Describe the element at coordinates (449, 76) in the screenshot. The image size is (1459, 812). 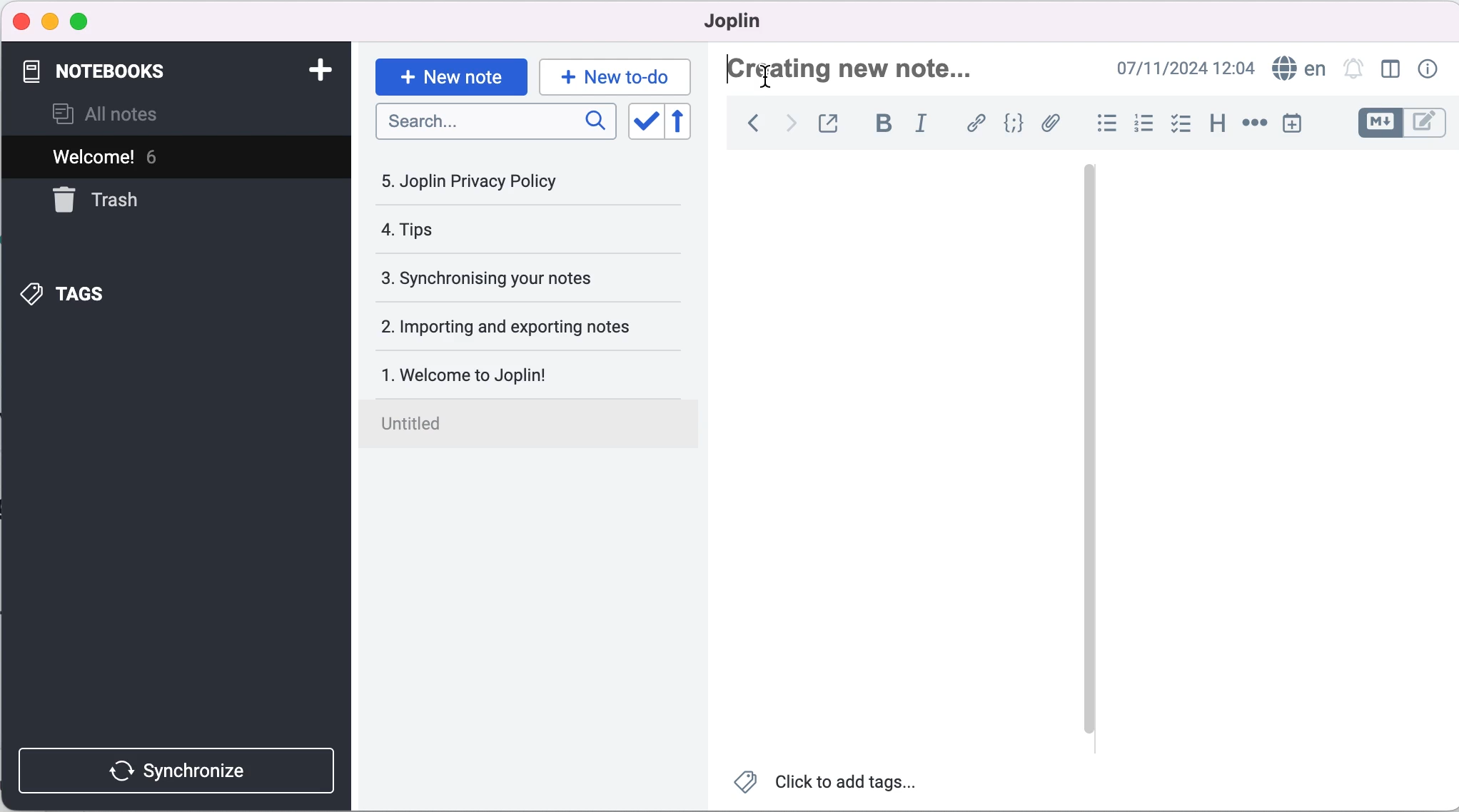
I see `new note` at that location.